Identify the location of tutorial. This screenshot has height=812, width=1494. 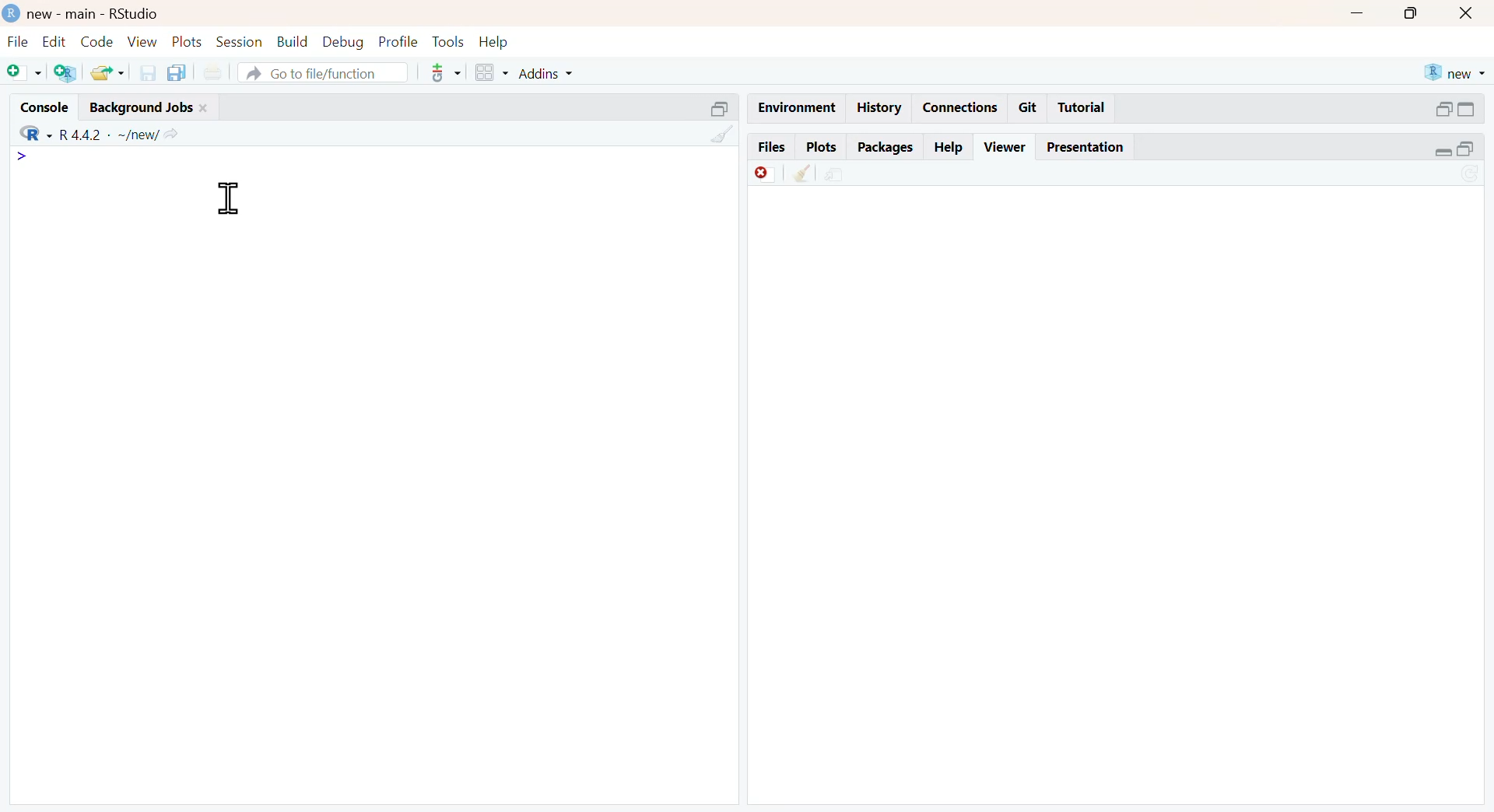
(1082, 108).